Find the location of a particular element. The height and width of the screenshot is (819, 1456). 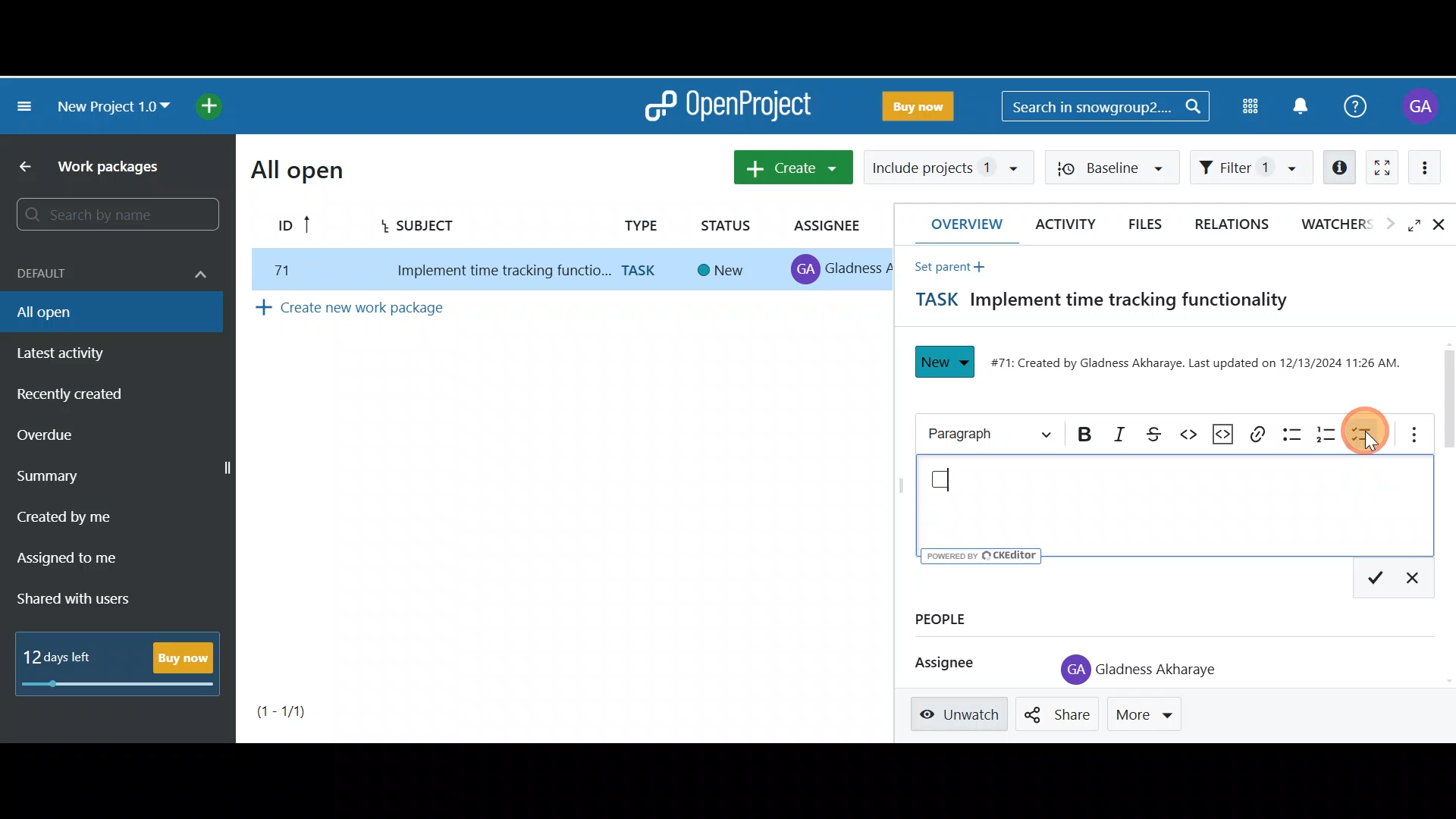

More options is located at coordinates (1407, 432).